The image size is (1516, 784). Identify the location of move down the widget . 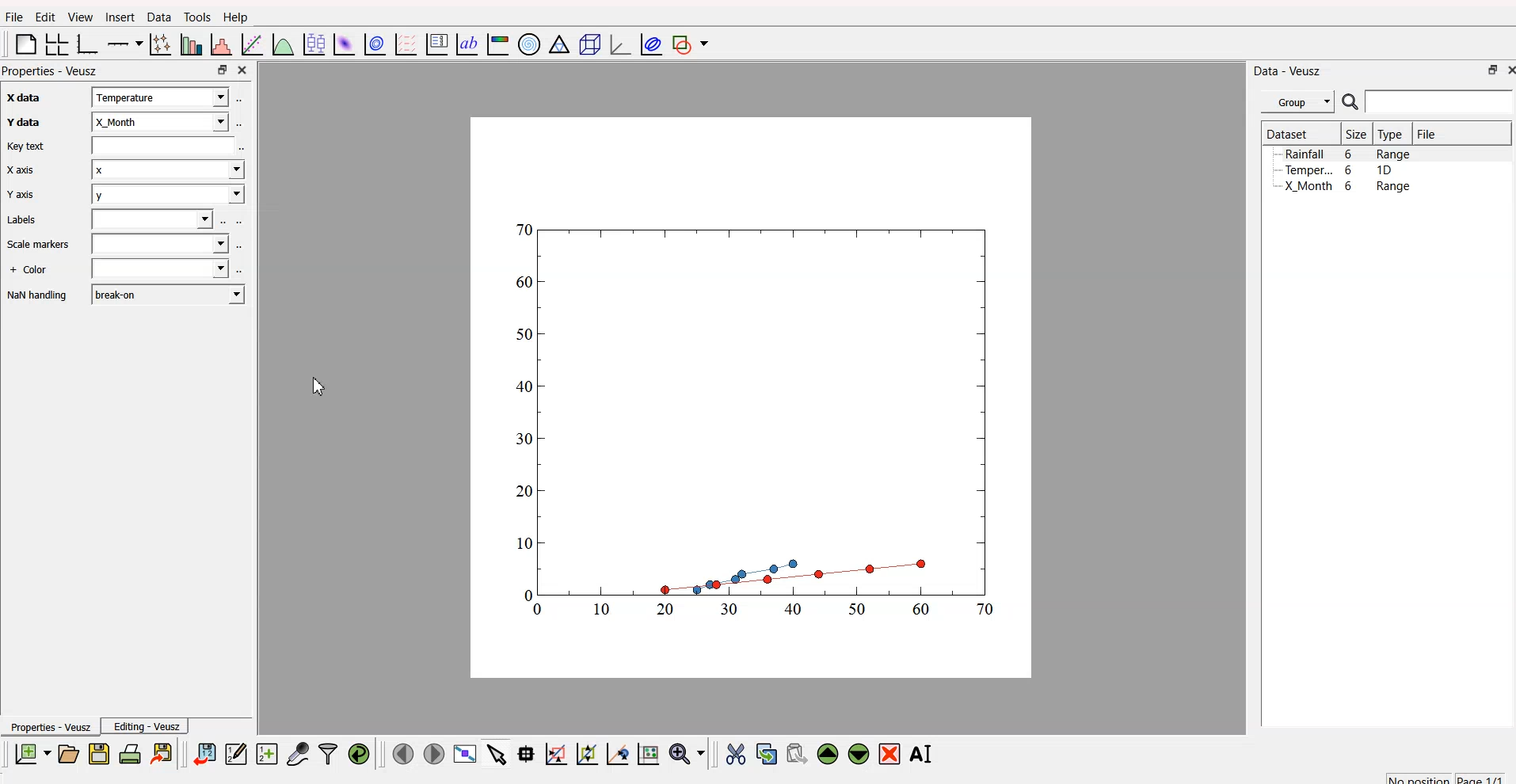
(856, 755).